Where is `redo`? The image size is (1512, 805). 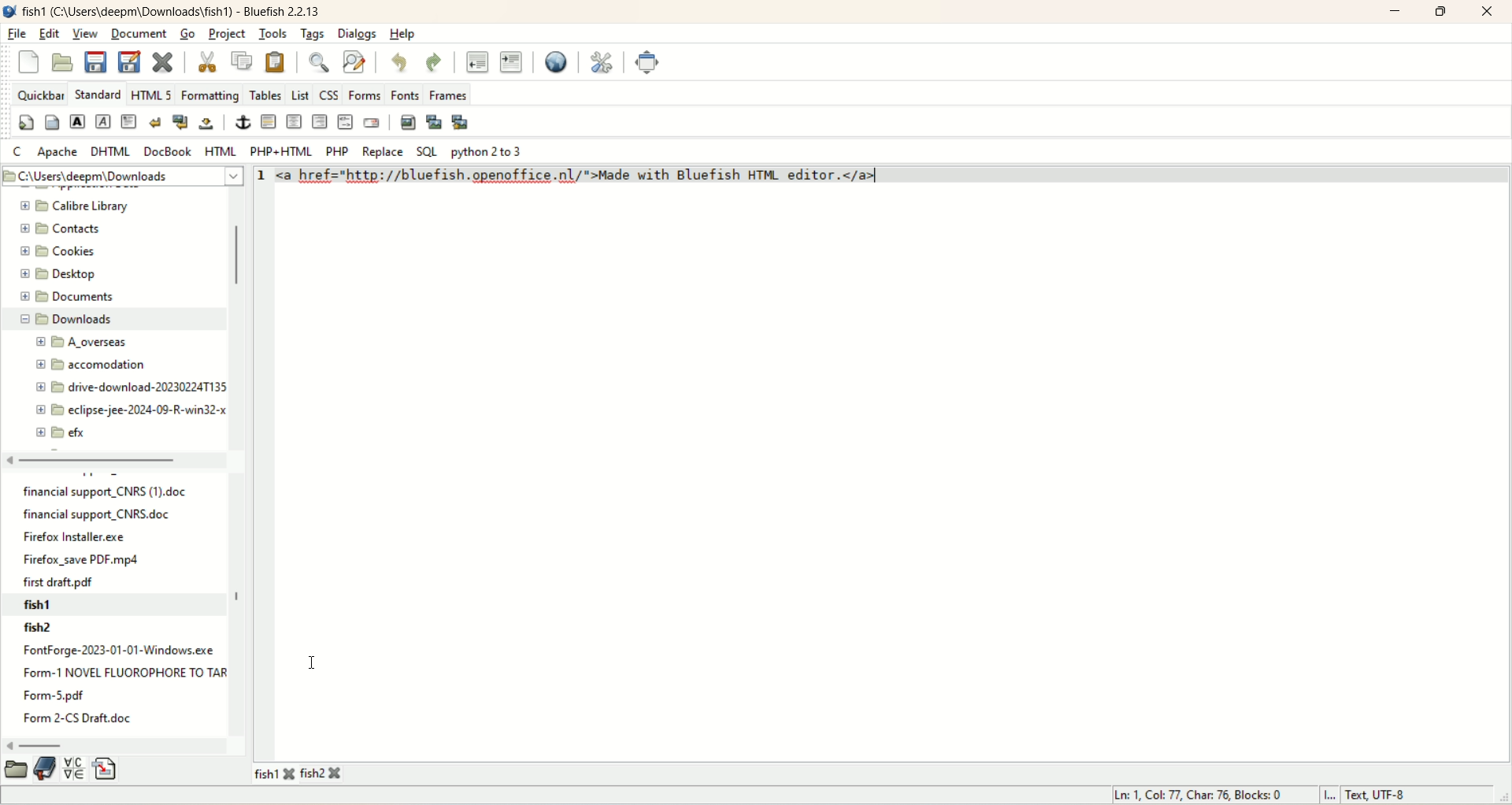
redo is located at coordinates (435, 61).